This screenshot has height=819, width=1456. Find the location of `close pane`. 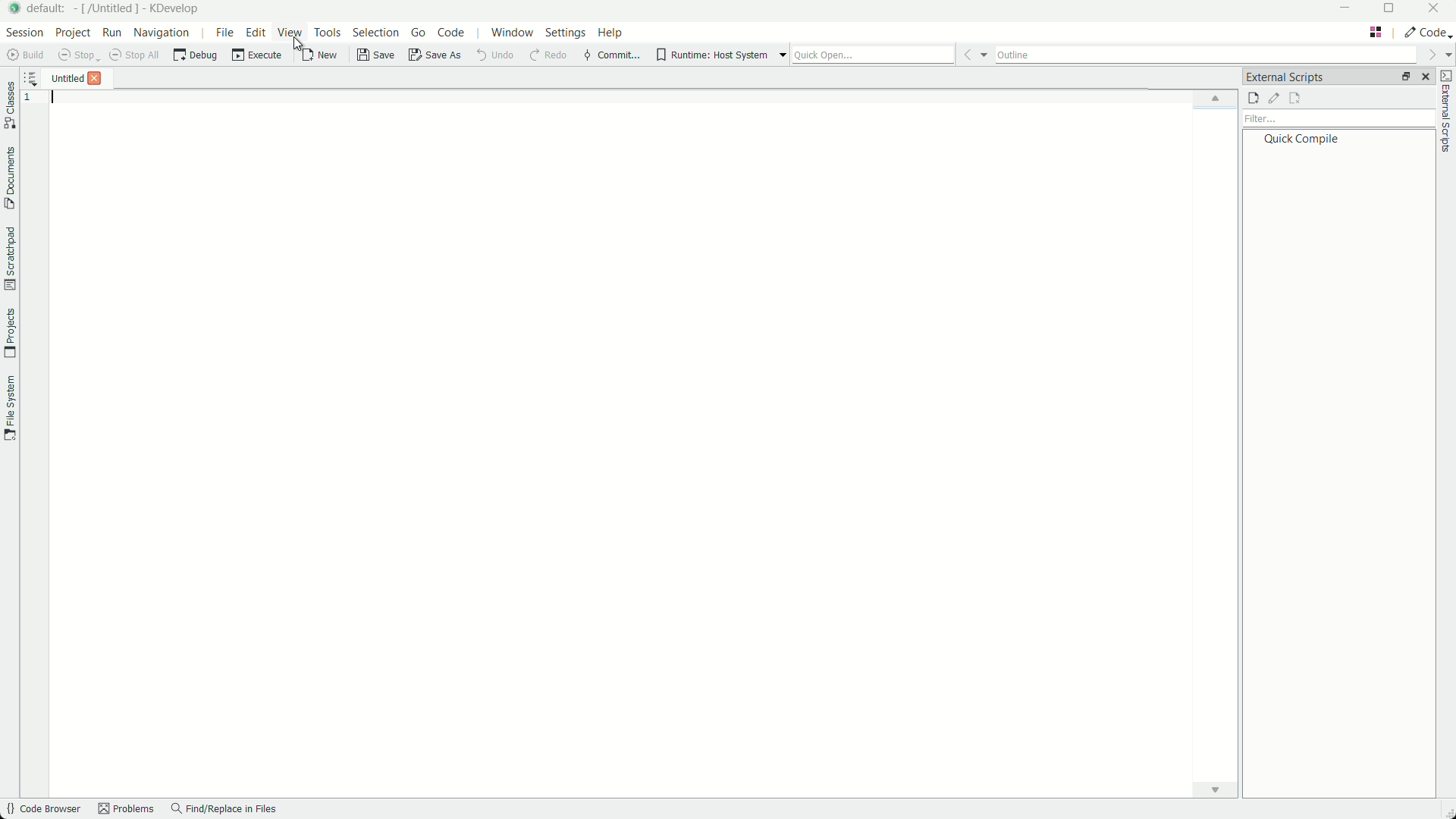

close pane is located at coordinates (1426, 77).